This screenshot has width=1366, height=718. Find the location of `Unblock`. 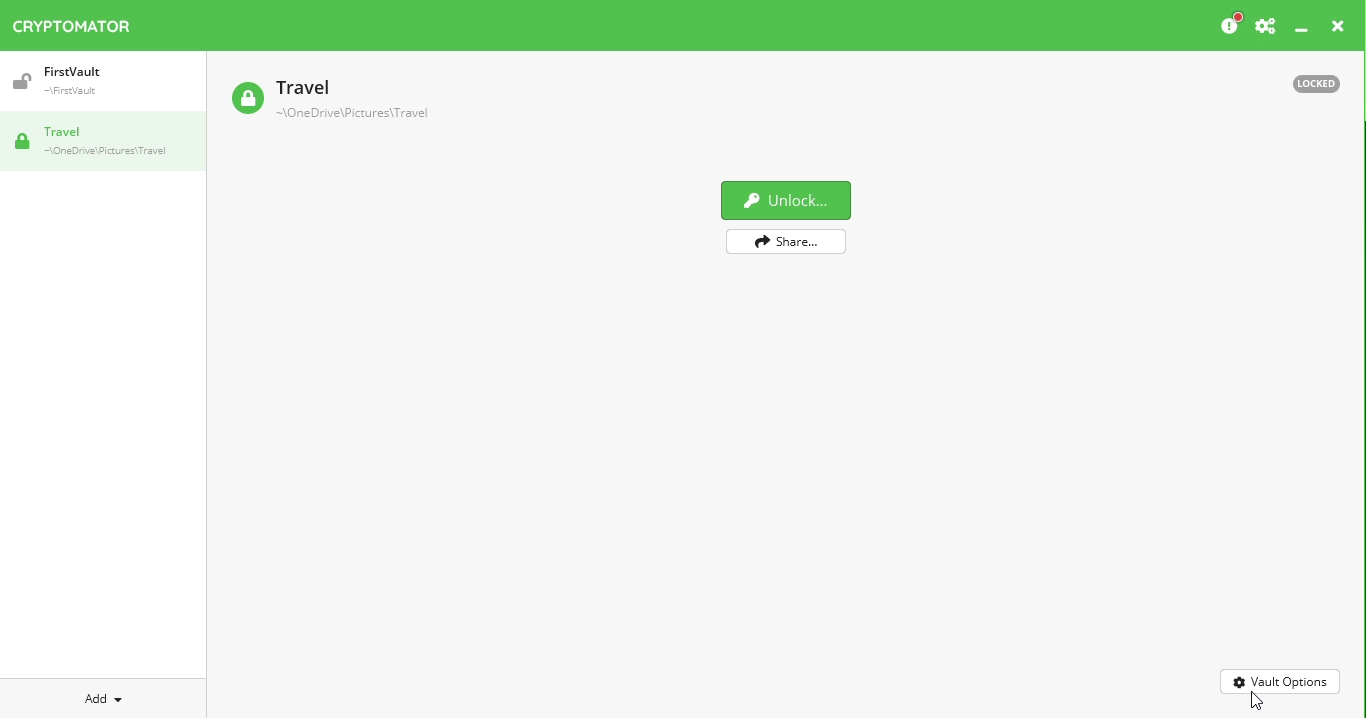

Unblock is located at coordinates (785, 201).